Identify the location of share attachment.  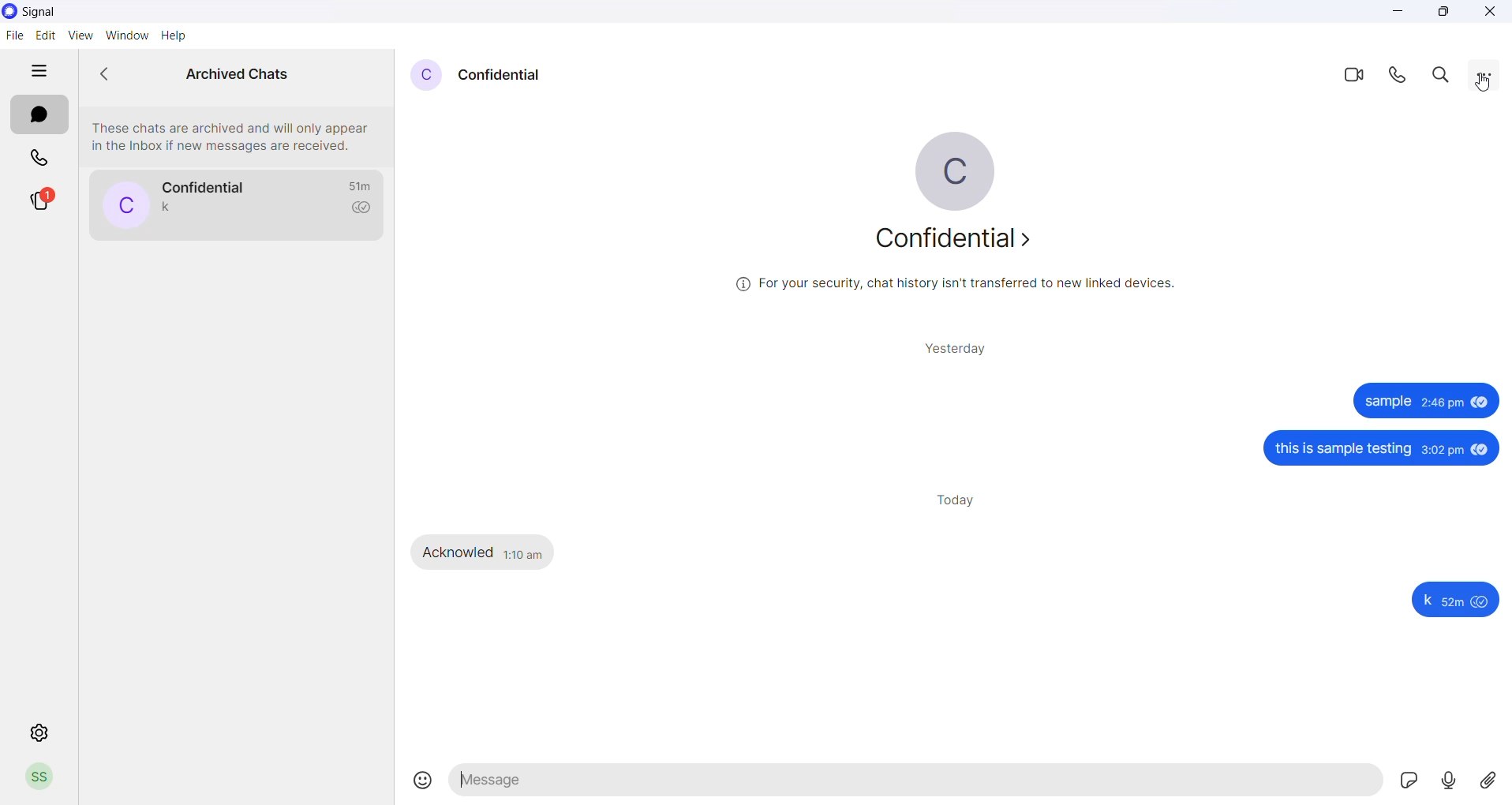
(1494, 781).